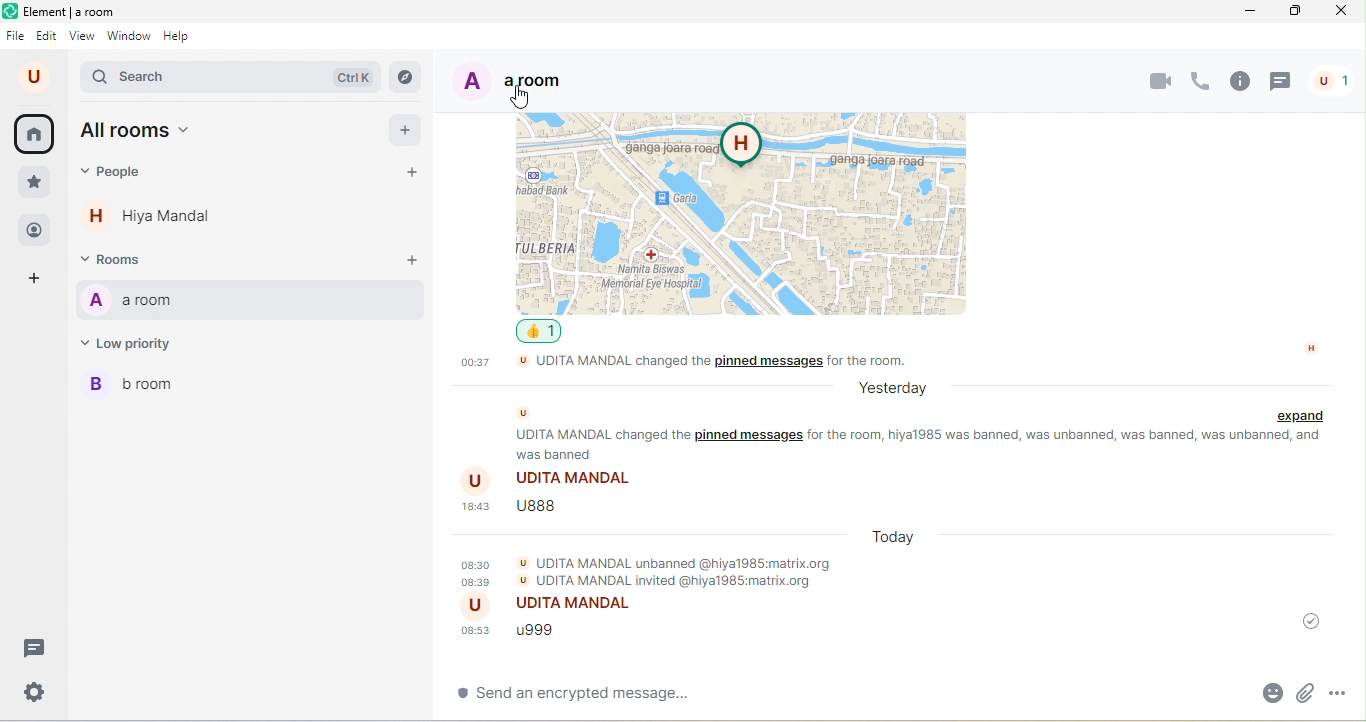 Image resolution: width=1366 pixels, height=722 pixels. Describe the element at coordinates (117, 176) in the screenshot. I see `people` at that location.